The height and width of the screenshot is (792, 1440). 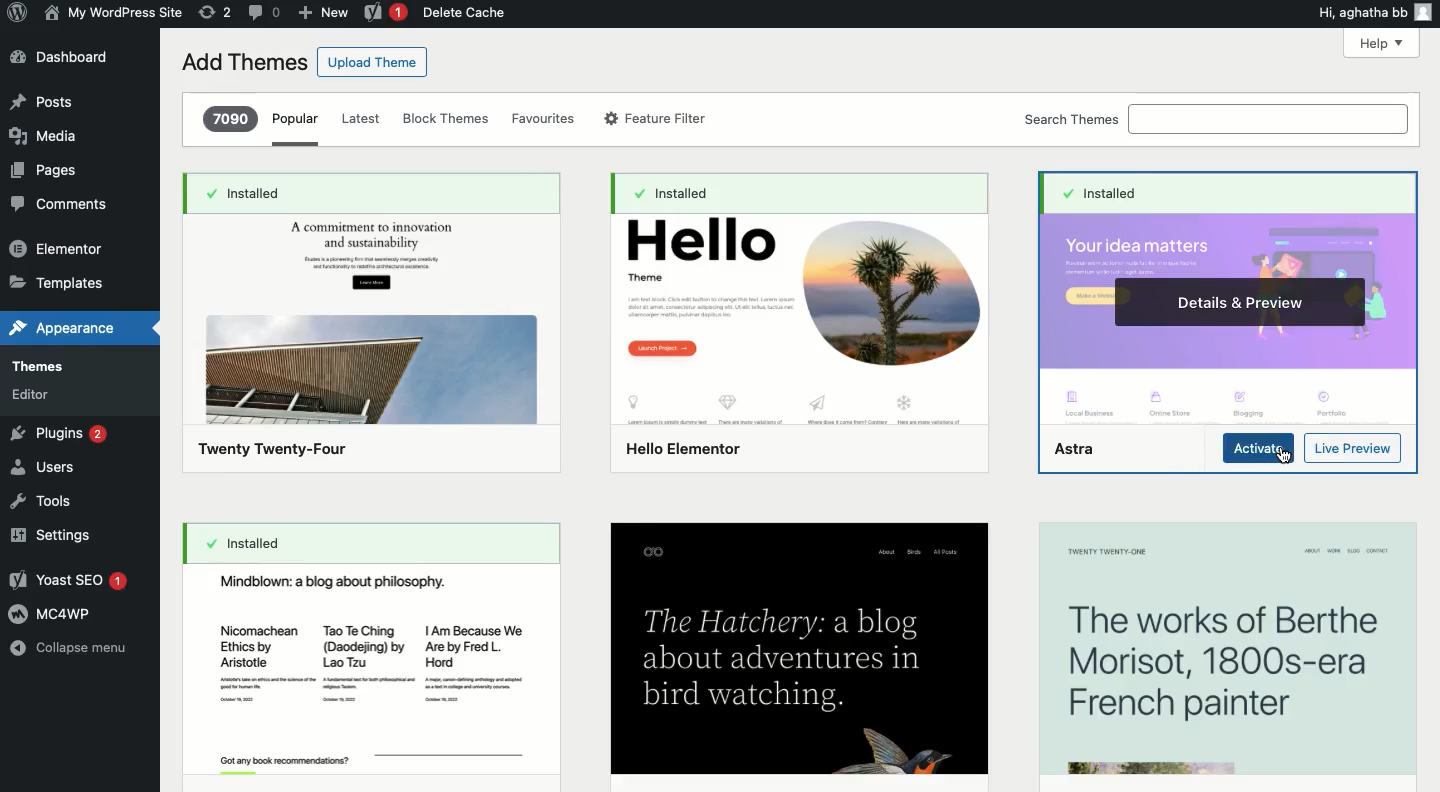 I want to click on Installed, so click(x=369, y=541).